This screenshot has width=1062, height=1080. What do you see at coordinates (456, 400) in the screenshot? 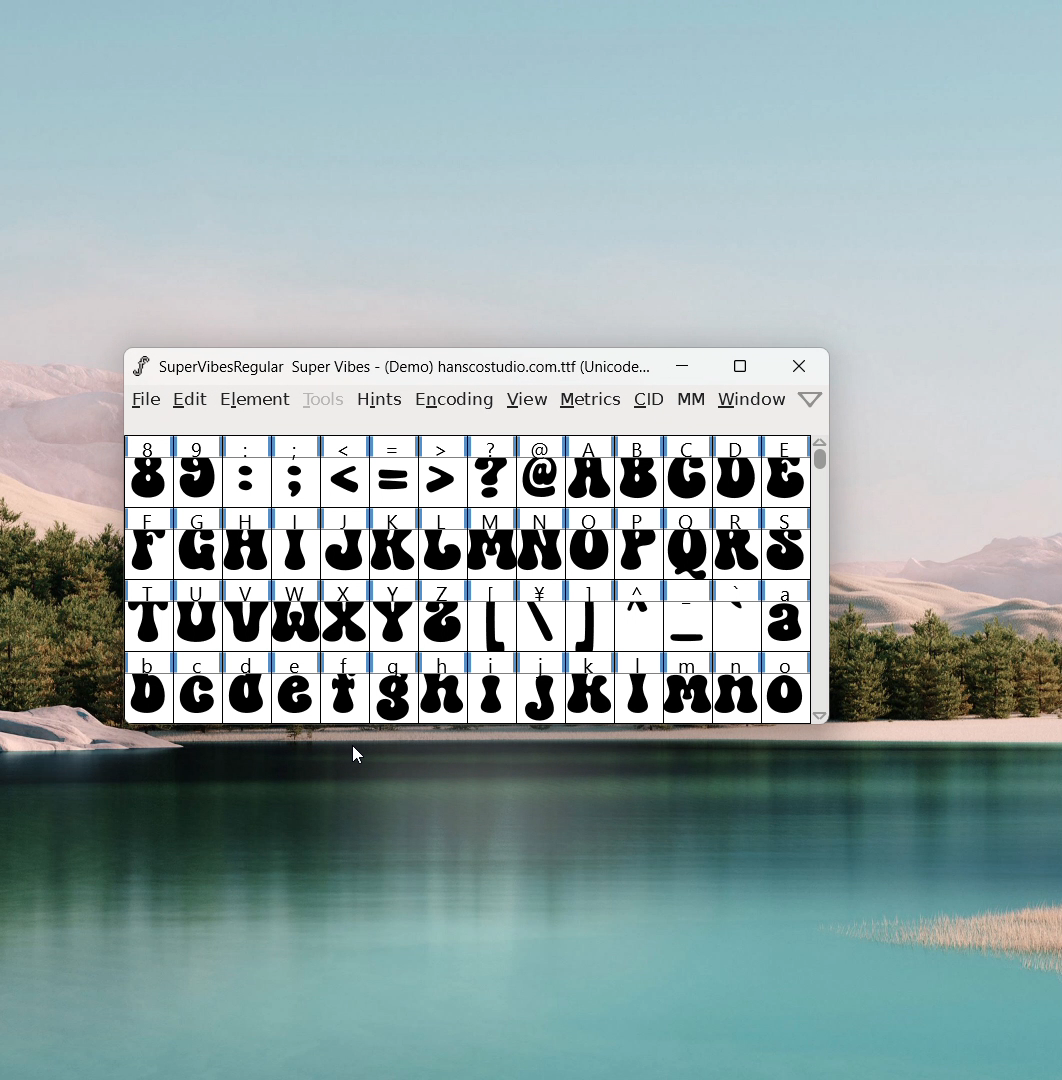
I see `encoding` at bounding box center [456, 400].